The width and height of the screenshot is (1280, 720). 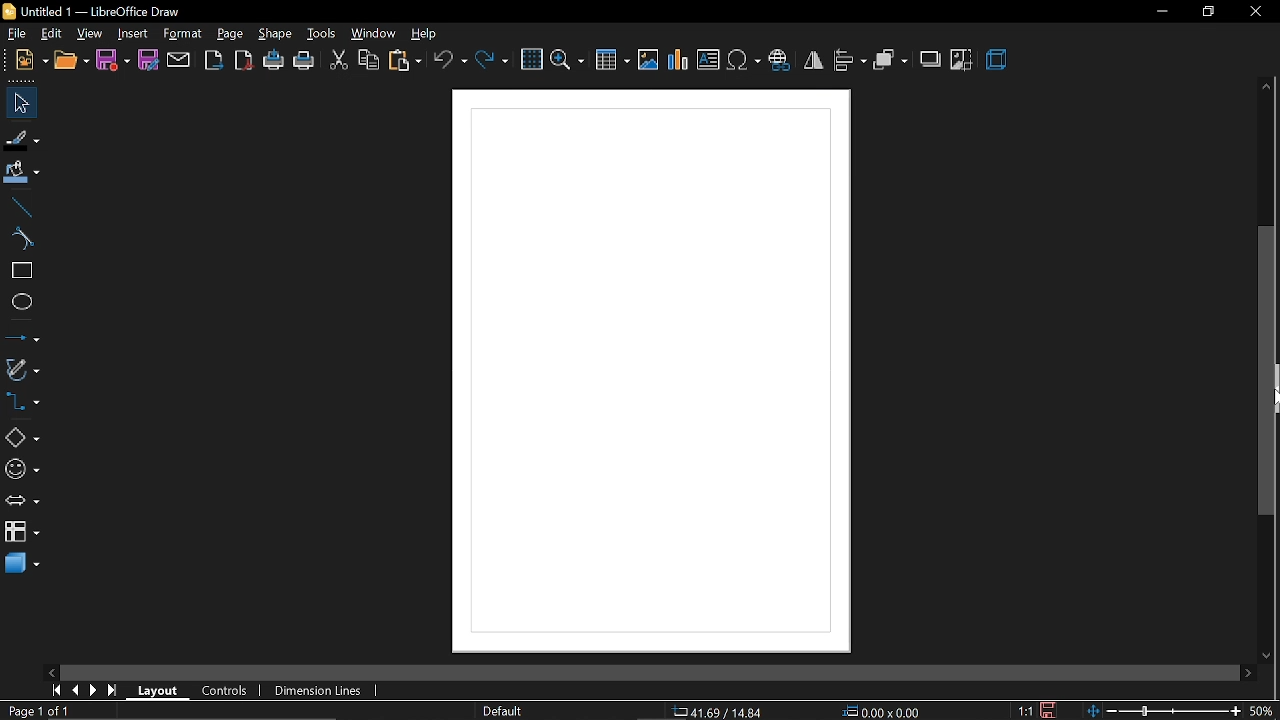 What do you see at coordinates (156, 691) in the screenshot?
I see `layout` at bounding box center [156, 691].